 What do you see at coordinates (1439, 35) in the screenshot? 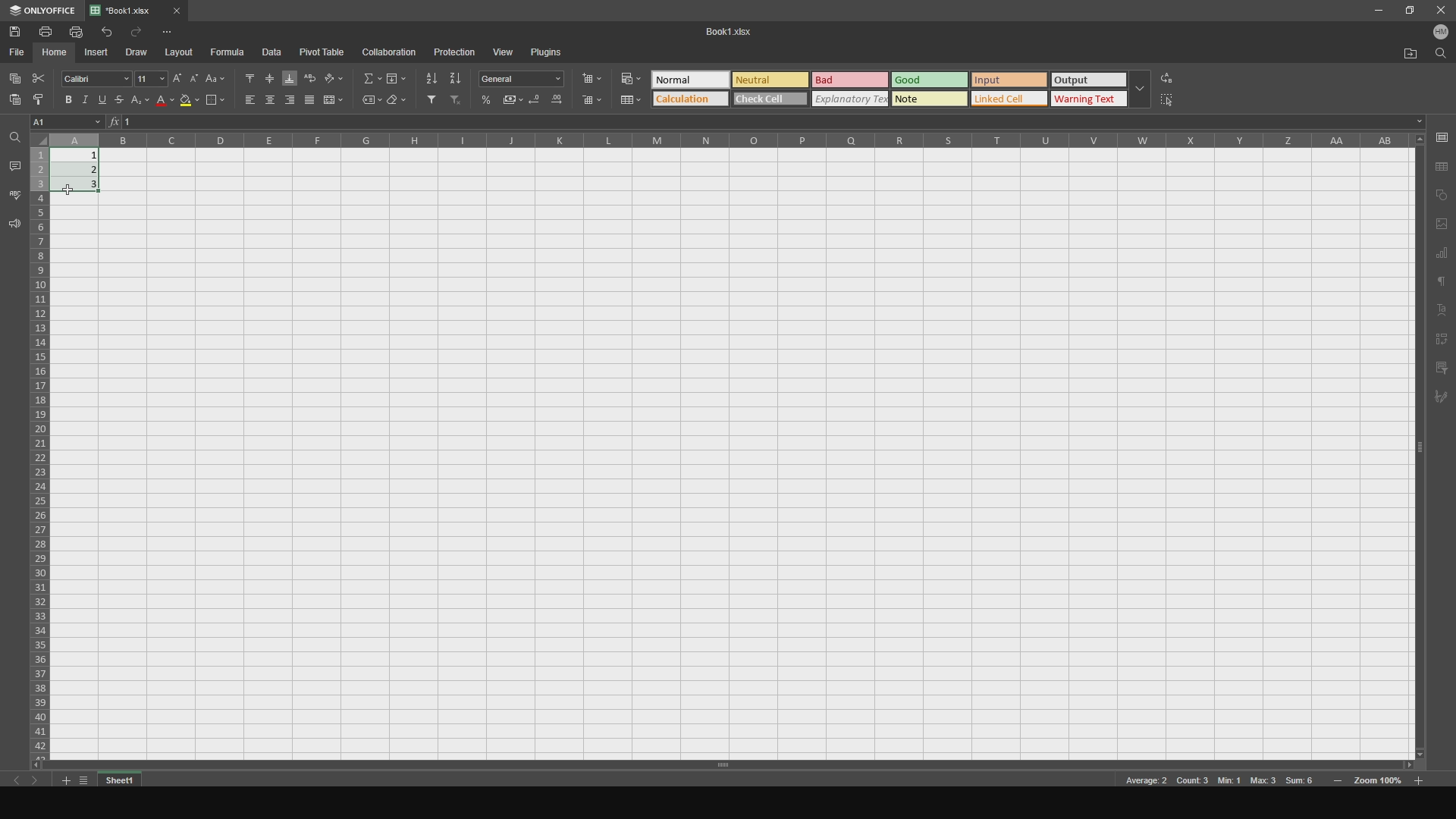
I see `user` at bounding box center [1439, 35].